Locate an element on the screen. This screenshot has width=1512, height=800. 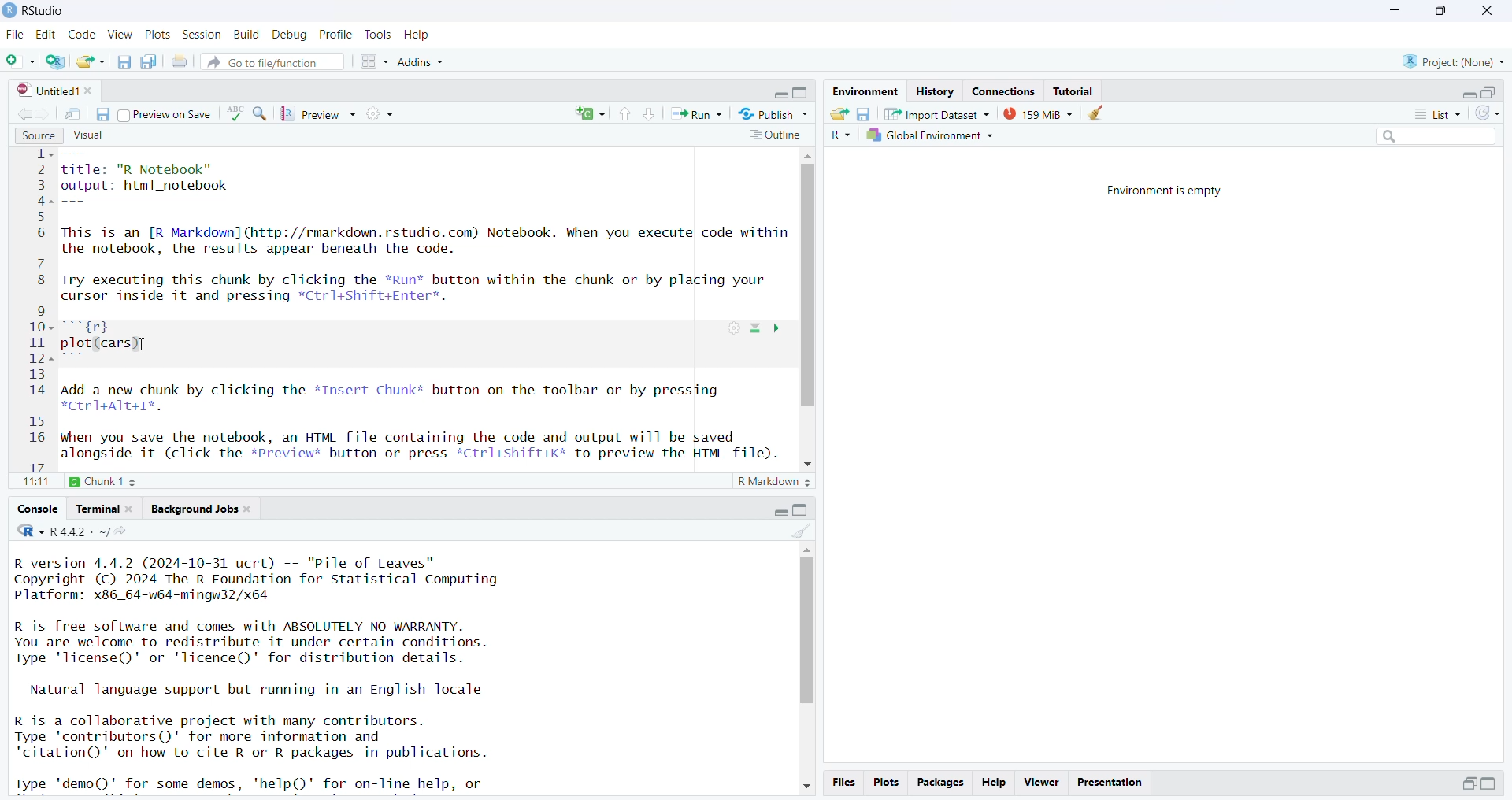
profile is located at coordinates (337, 35).